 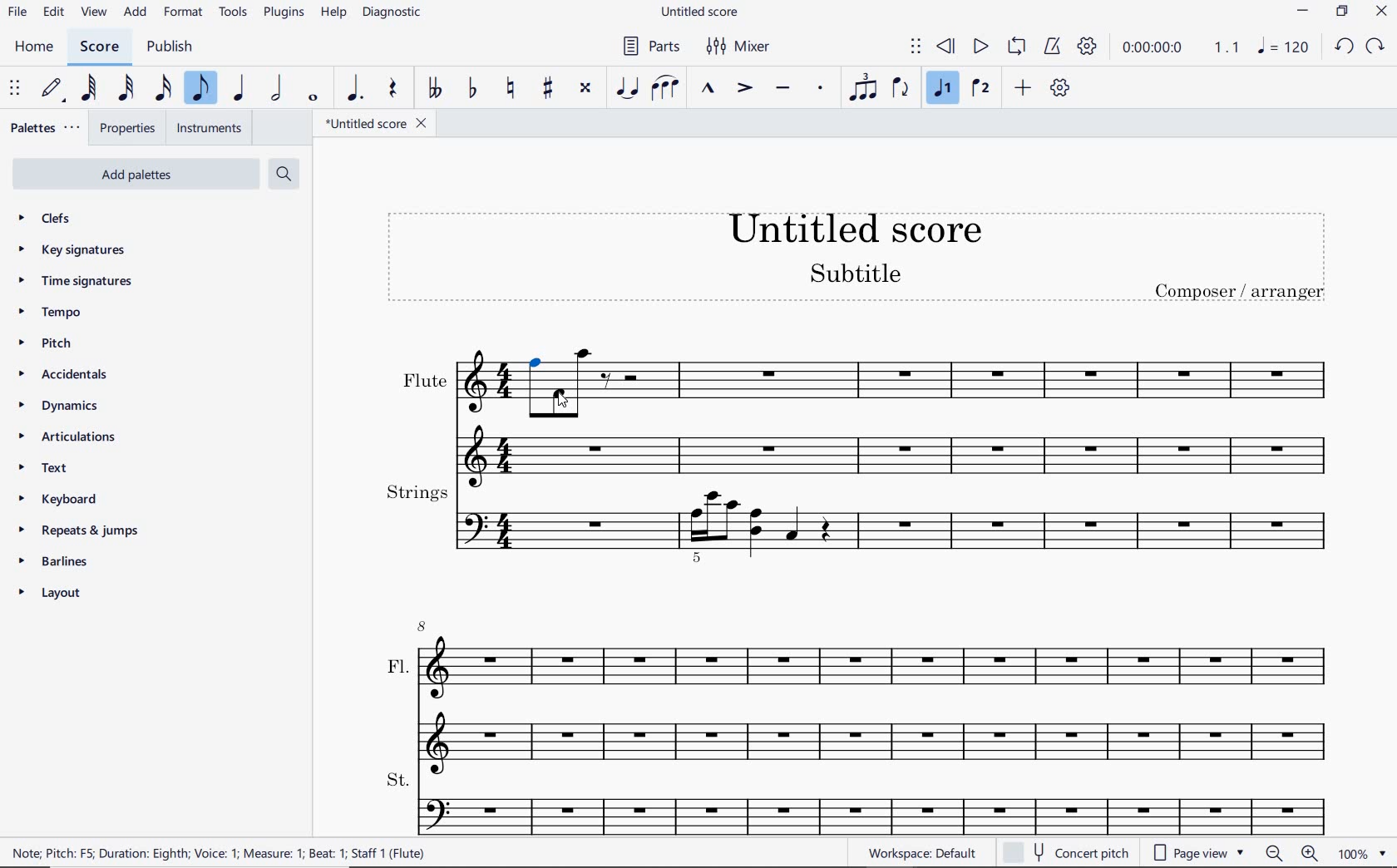 What do you see at coordinates (943, 47) in the screenshot?
I see `REWIND` at bounding box center [943, 47].